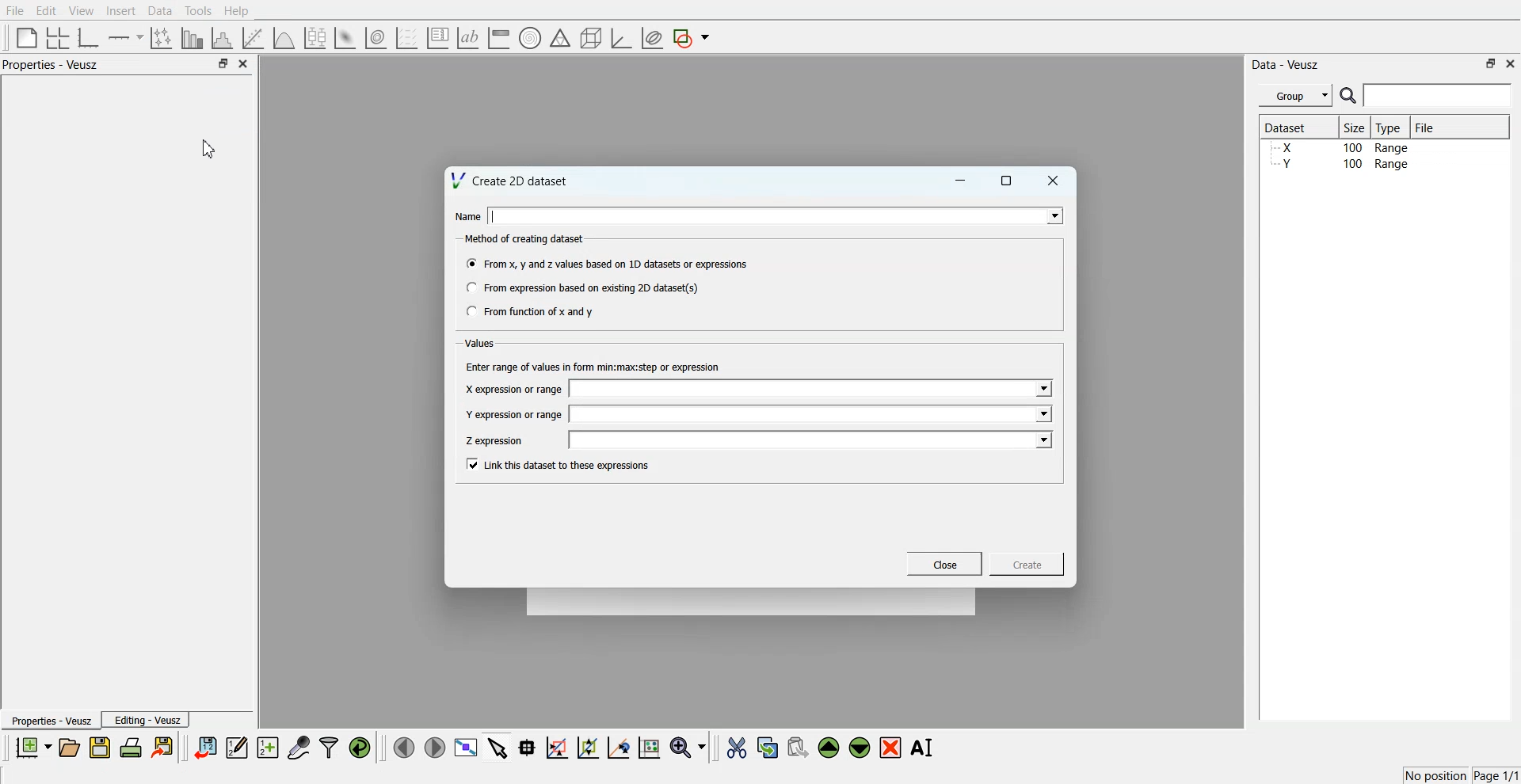 The image size is (1521, 784). What do you see at coordinates (329, 747) in the screenshot?
I see `Filter dataset` at bounding box center [329, 747].